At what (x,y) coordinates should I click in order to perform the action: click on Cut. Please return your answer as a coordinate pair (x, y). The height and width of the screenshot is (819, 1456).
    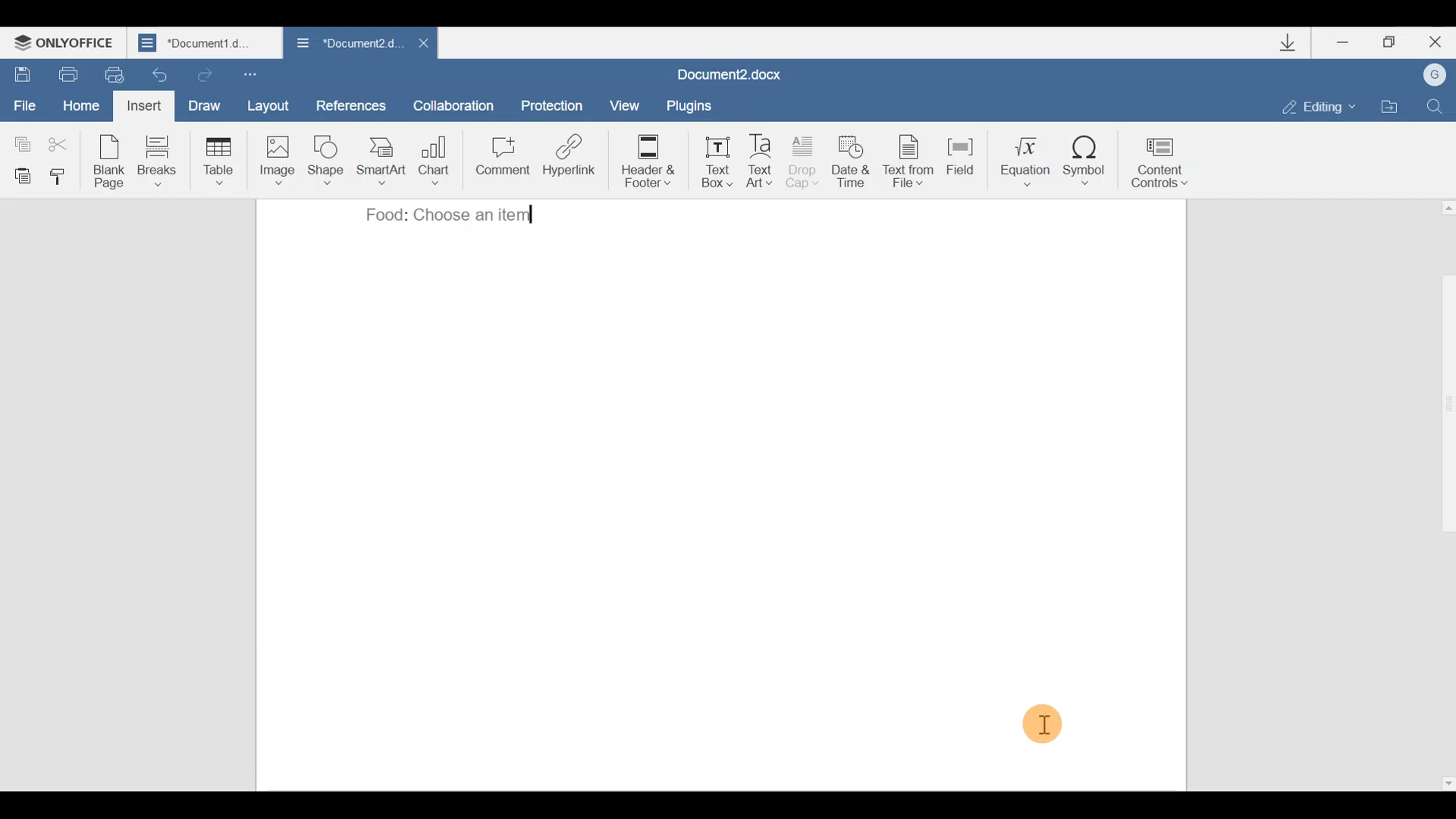
    Looking at the image, I should click on (62, 145).